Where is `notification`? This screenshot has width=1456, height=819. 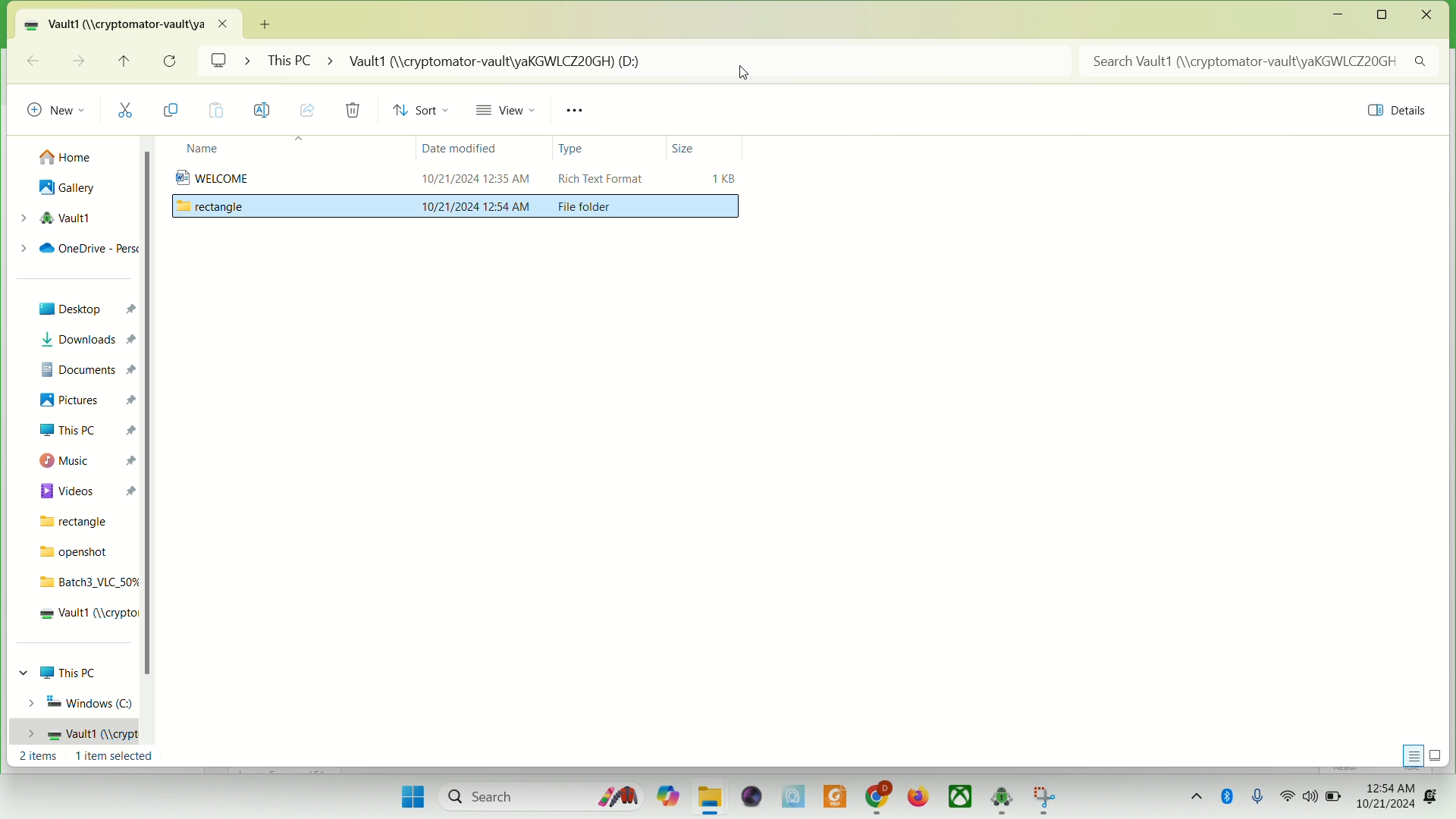 notification is located at coordinates (1434, 794).